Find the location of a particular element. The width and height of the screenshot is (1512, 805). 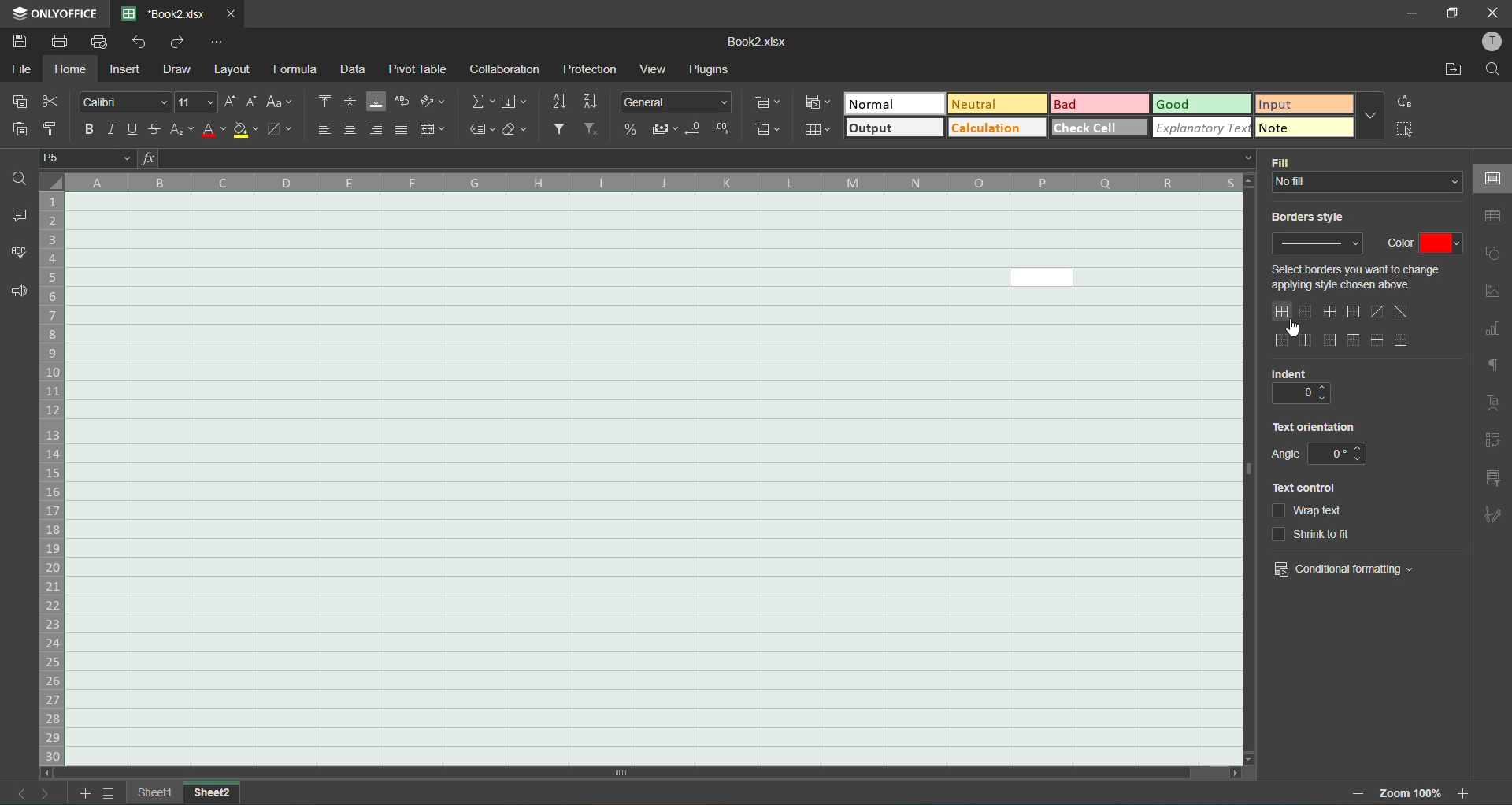

set no borders is located at coordinates (1308, 313).